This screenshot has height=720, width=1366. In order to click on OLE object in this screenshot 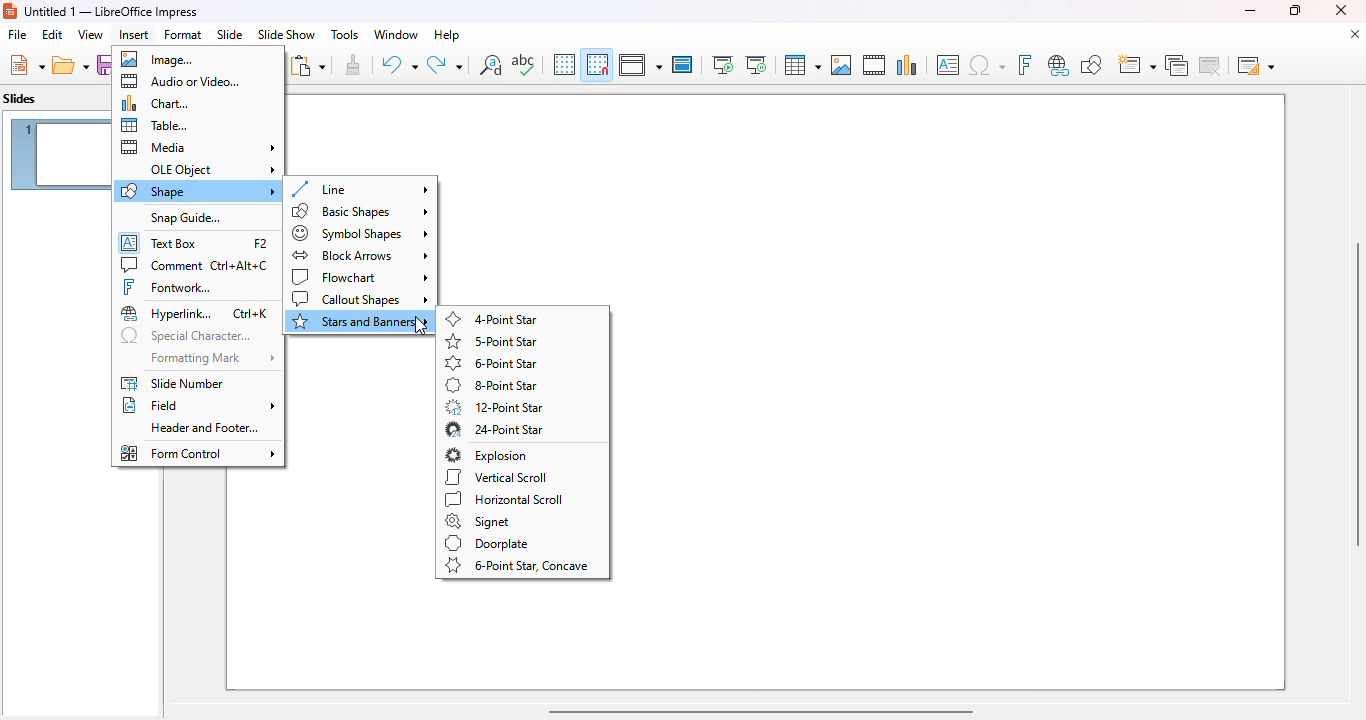, I will do `click(212, 170)`.